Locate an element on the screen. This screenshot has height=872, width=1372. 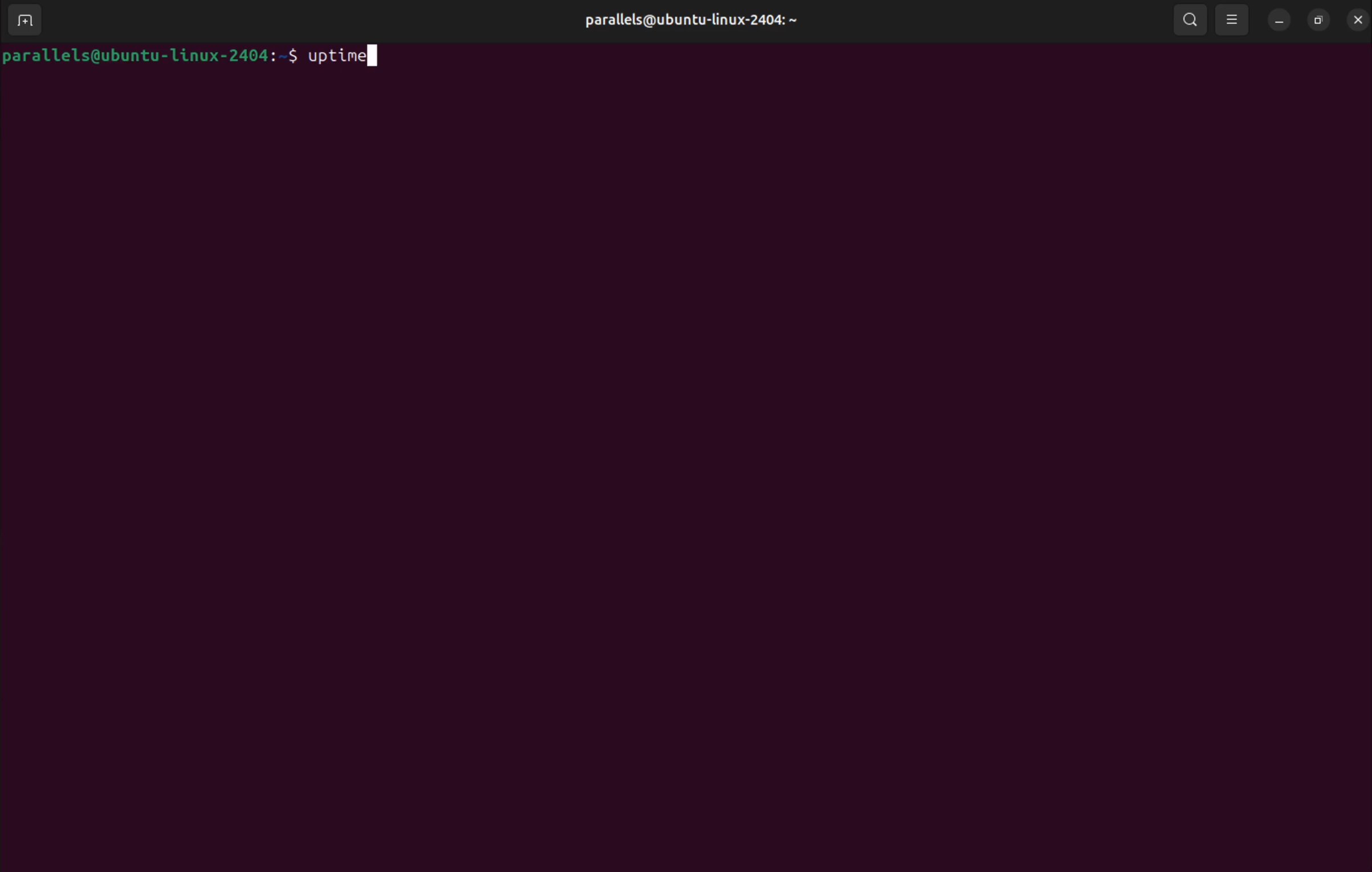
close is located at coordinates (1356, 21).